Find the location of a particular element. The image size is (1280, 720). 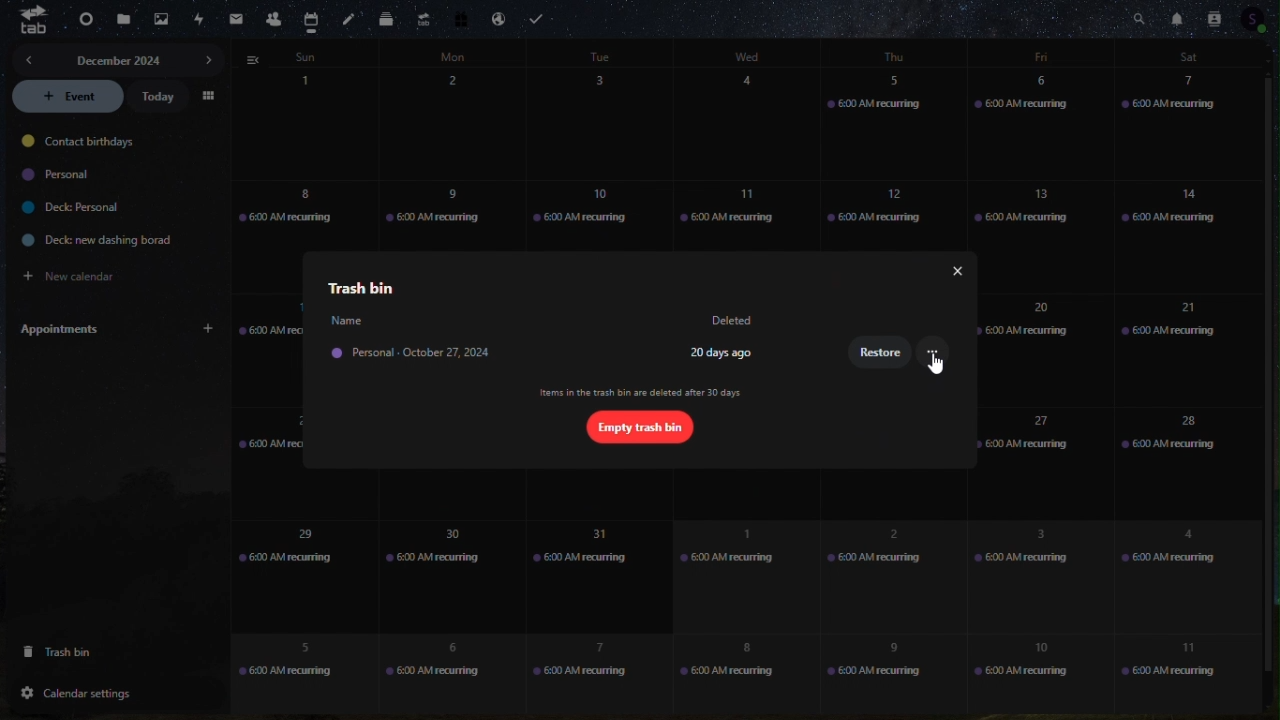

photos is located at coordinates (158, 20).